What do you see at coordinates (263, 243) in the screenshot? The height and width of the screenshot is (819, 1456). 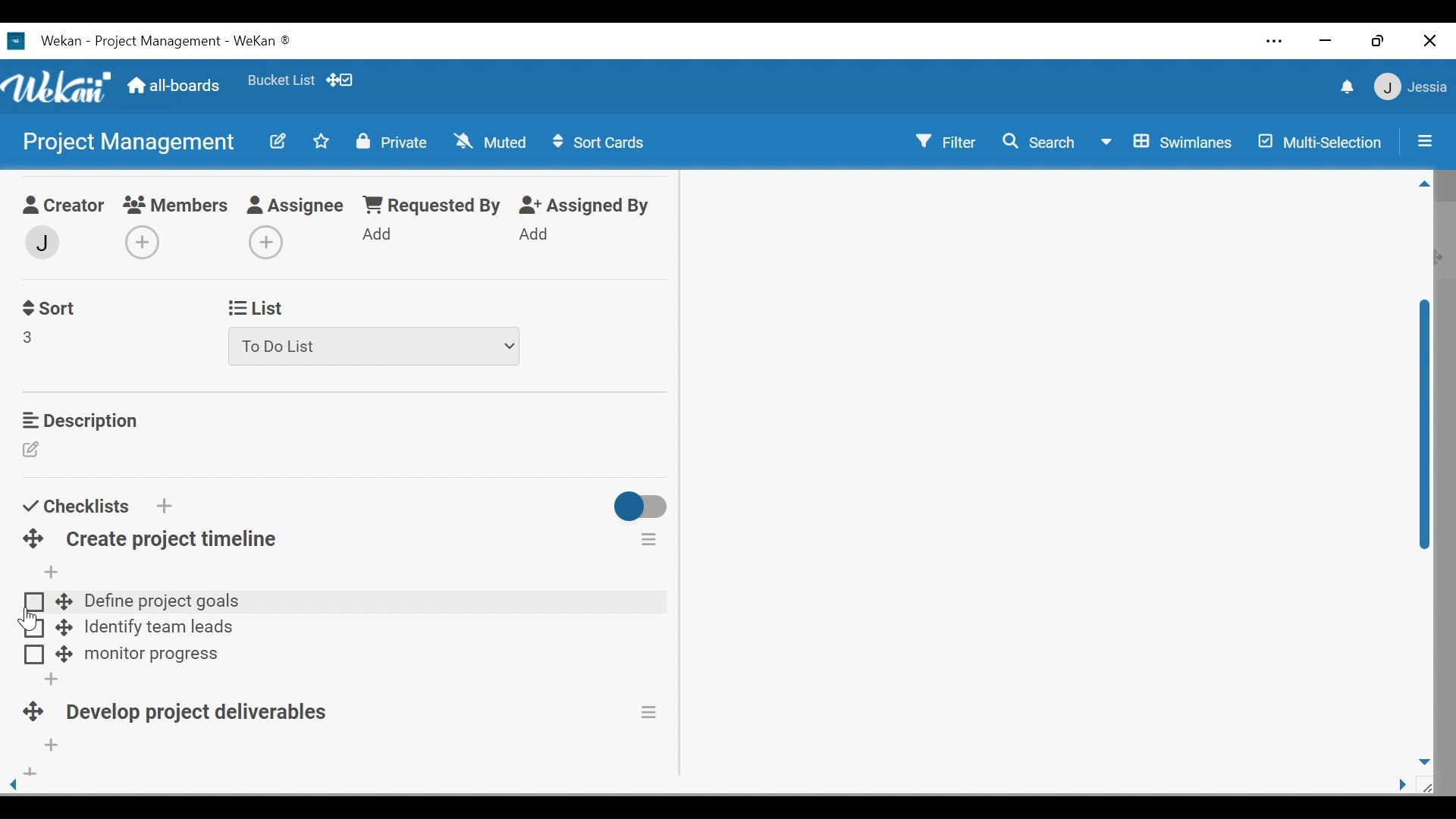 I see `Add Assignee` at bounding box center [263, 243].